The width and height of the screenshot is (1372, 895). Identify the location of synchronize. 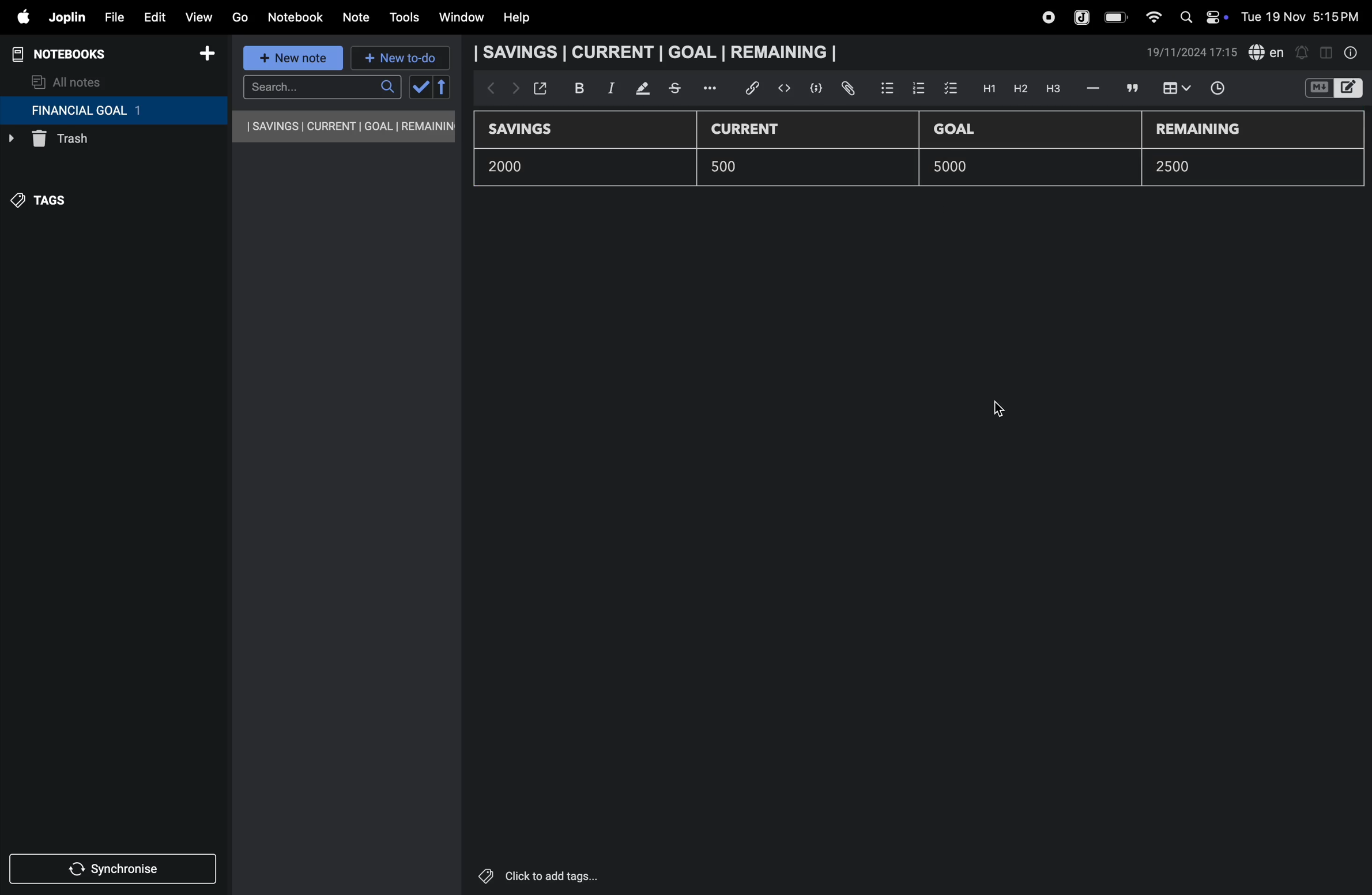
(114, 867).